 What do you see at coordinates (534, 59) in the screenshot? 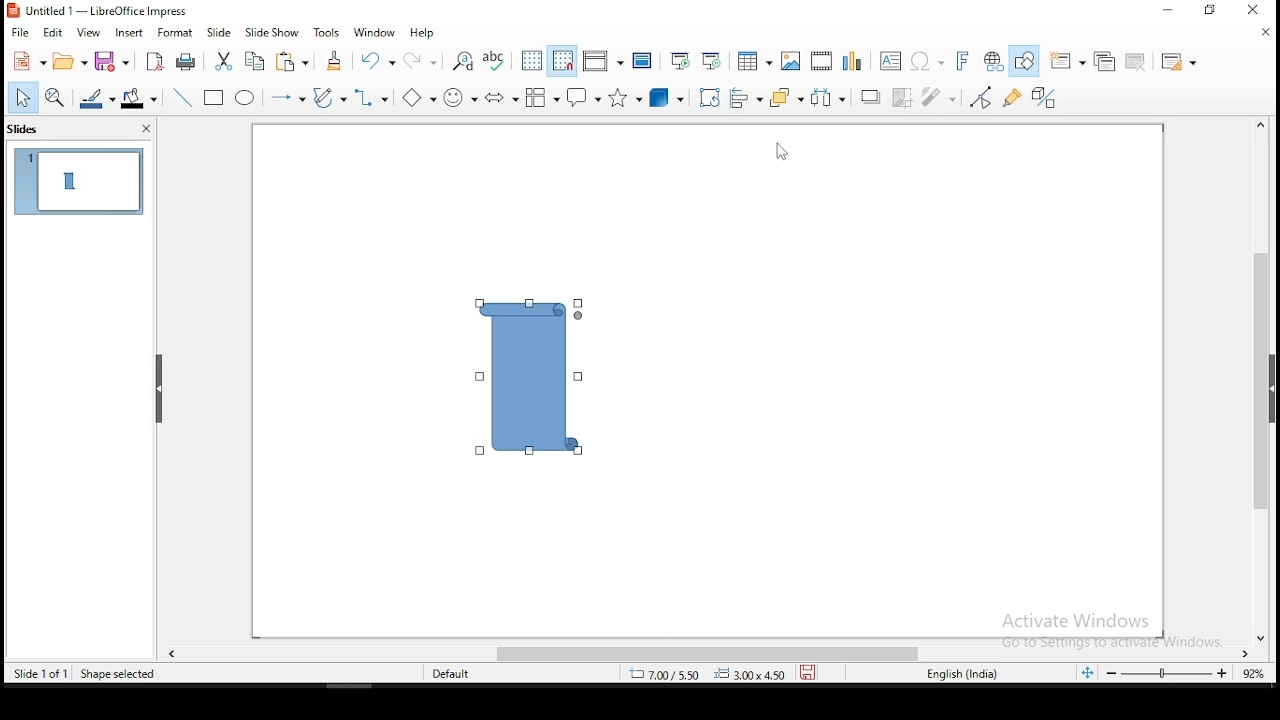
I see `display grid` at bounding box center [534, 59].